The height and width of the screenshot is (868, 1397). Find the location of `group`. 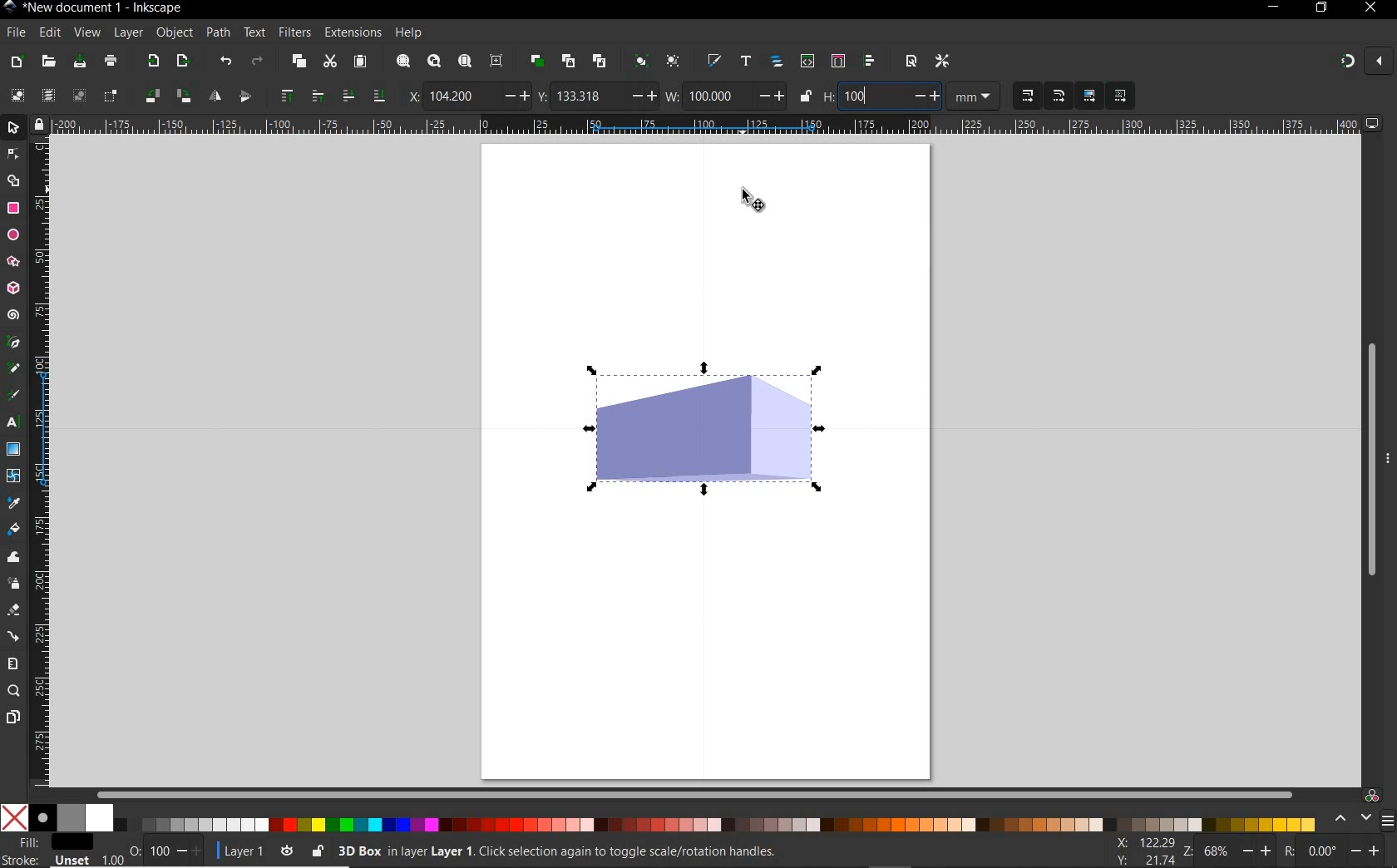

group is located at coordinates (639, 60).